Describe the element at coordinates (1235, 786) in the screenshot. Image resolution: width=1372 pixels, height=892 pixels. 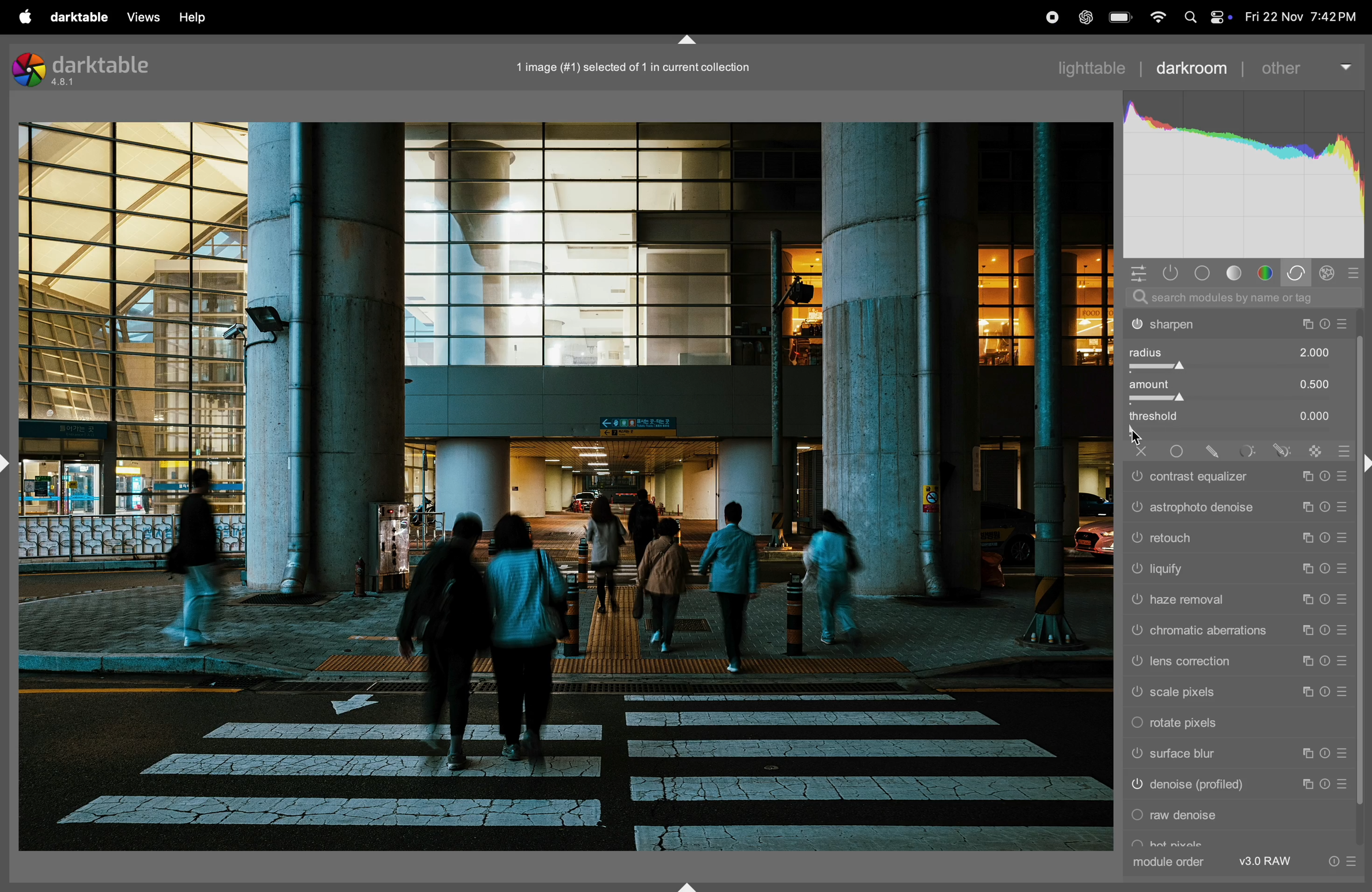
I see `denoise profile` at that location.